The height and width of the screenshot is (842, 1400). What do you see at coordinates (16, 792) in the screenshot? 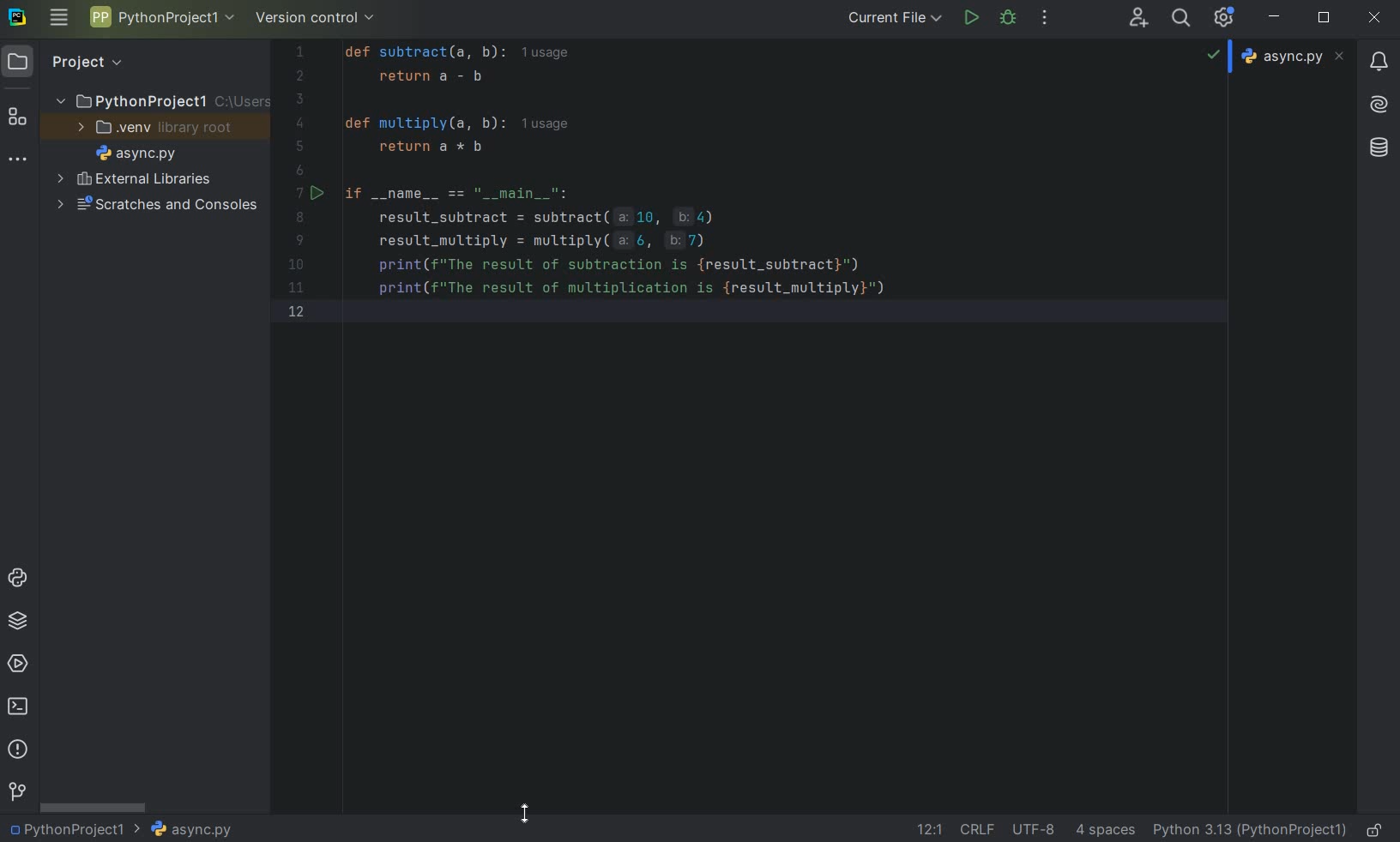
I see `git` at bounding box center [16, 792].